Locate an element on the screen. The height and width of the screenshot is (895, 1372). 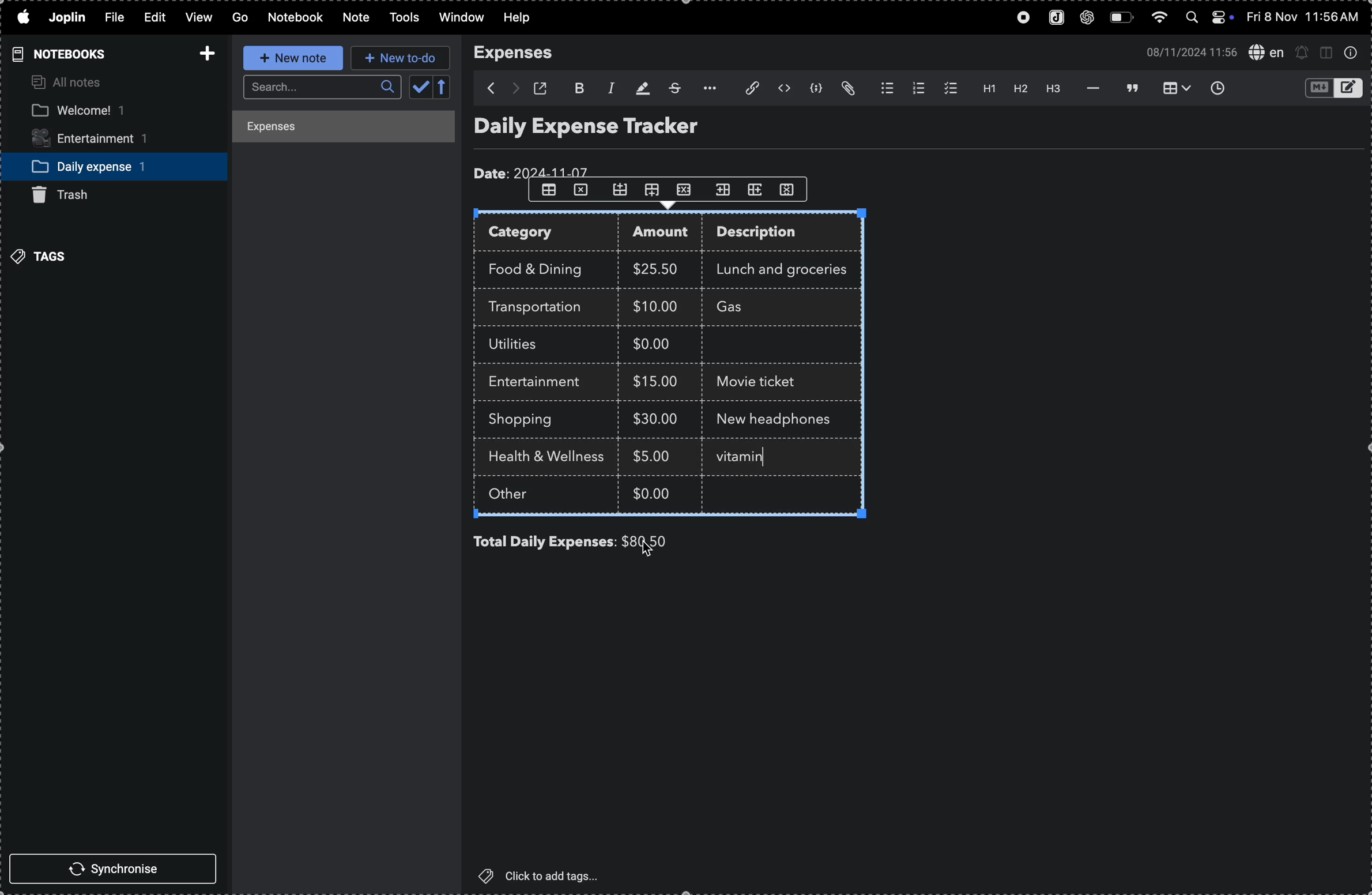
food and drink is located at coordinates (541, 267).